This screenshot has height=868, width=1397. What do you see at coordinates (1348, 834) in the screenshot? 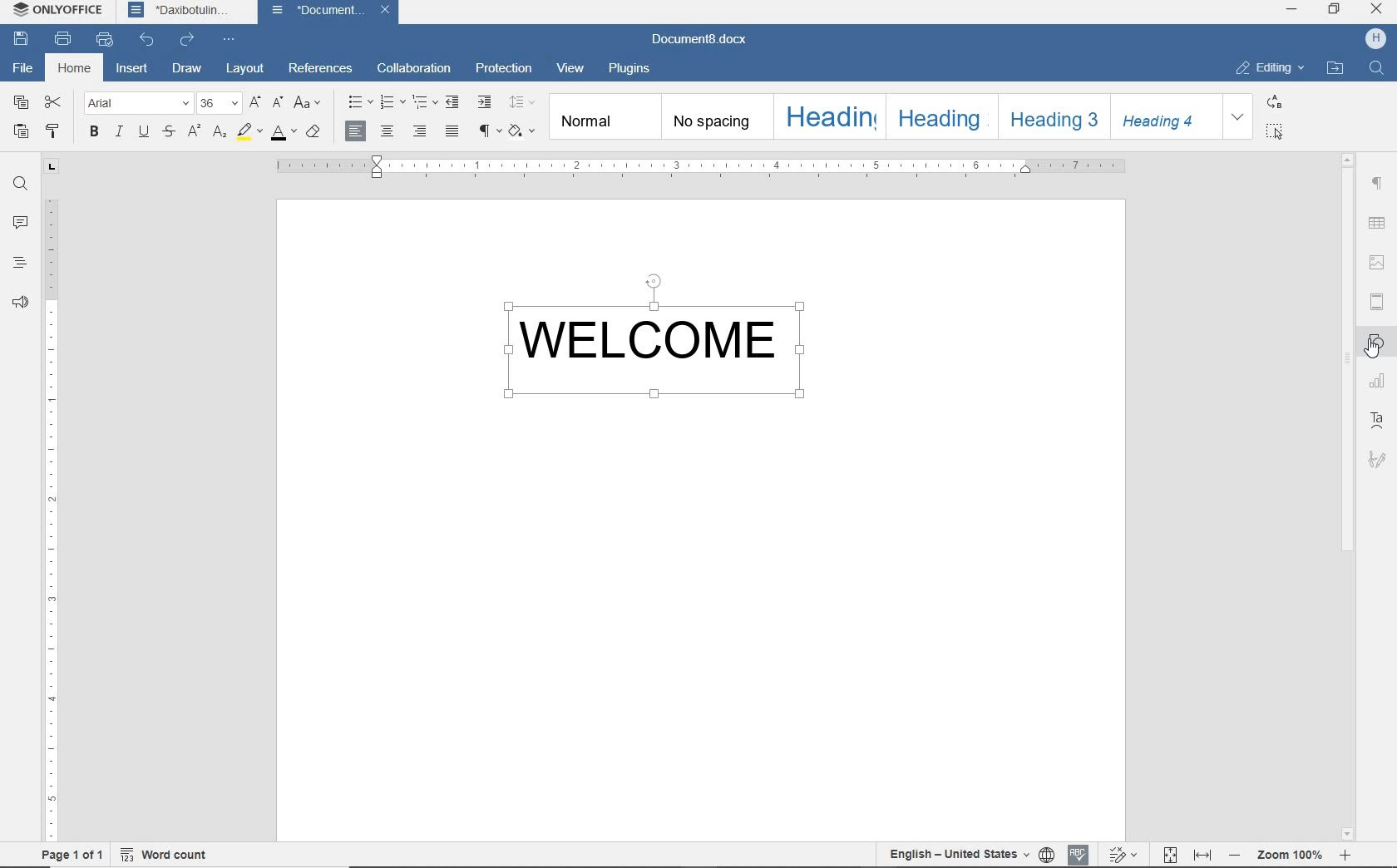
I see `Scroll down` at bounding box center [1348, 834].